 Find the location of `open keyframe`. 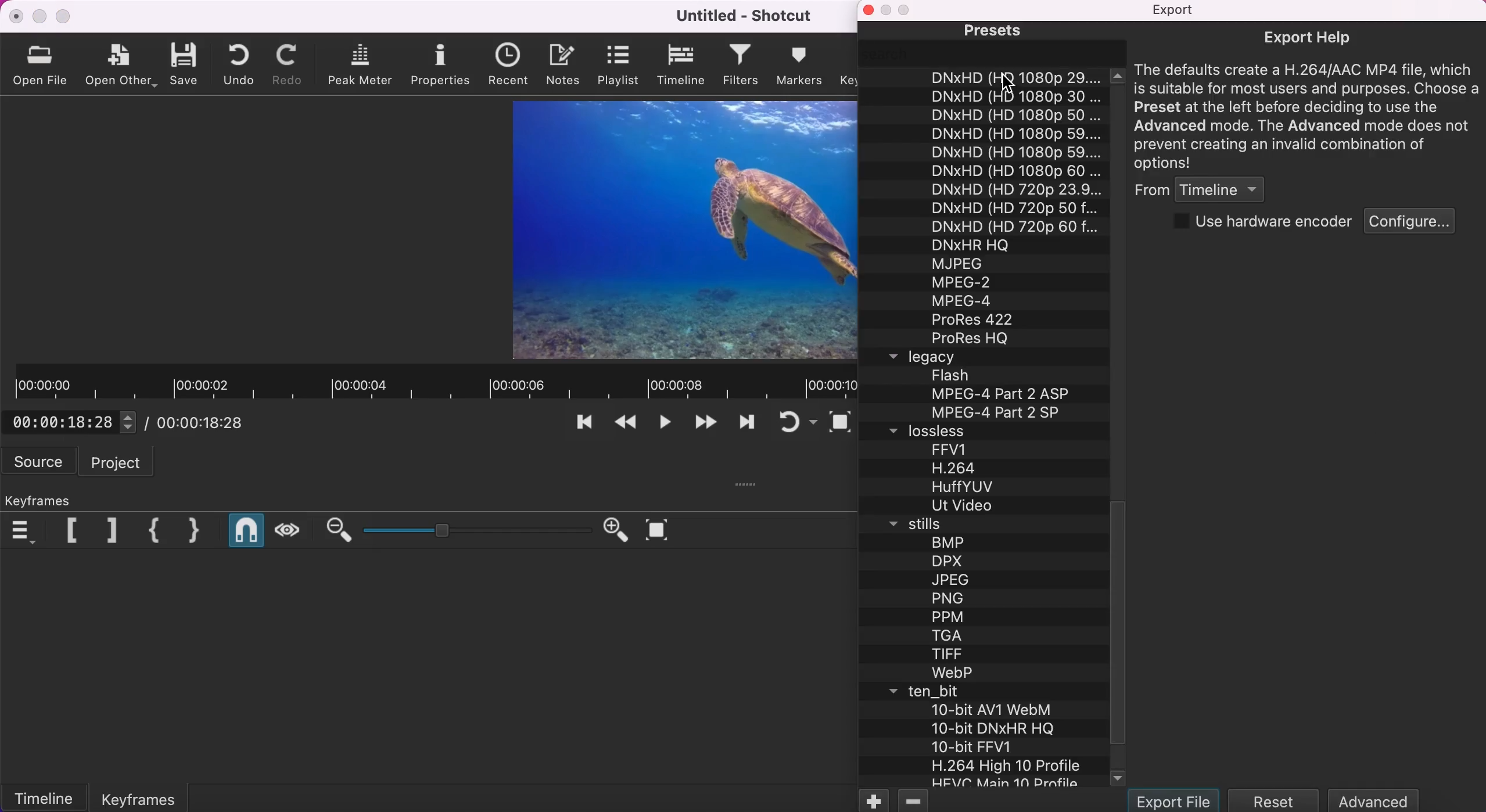

open keyframe is located at coordinates (149, 530).